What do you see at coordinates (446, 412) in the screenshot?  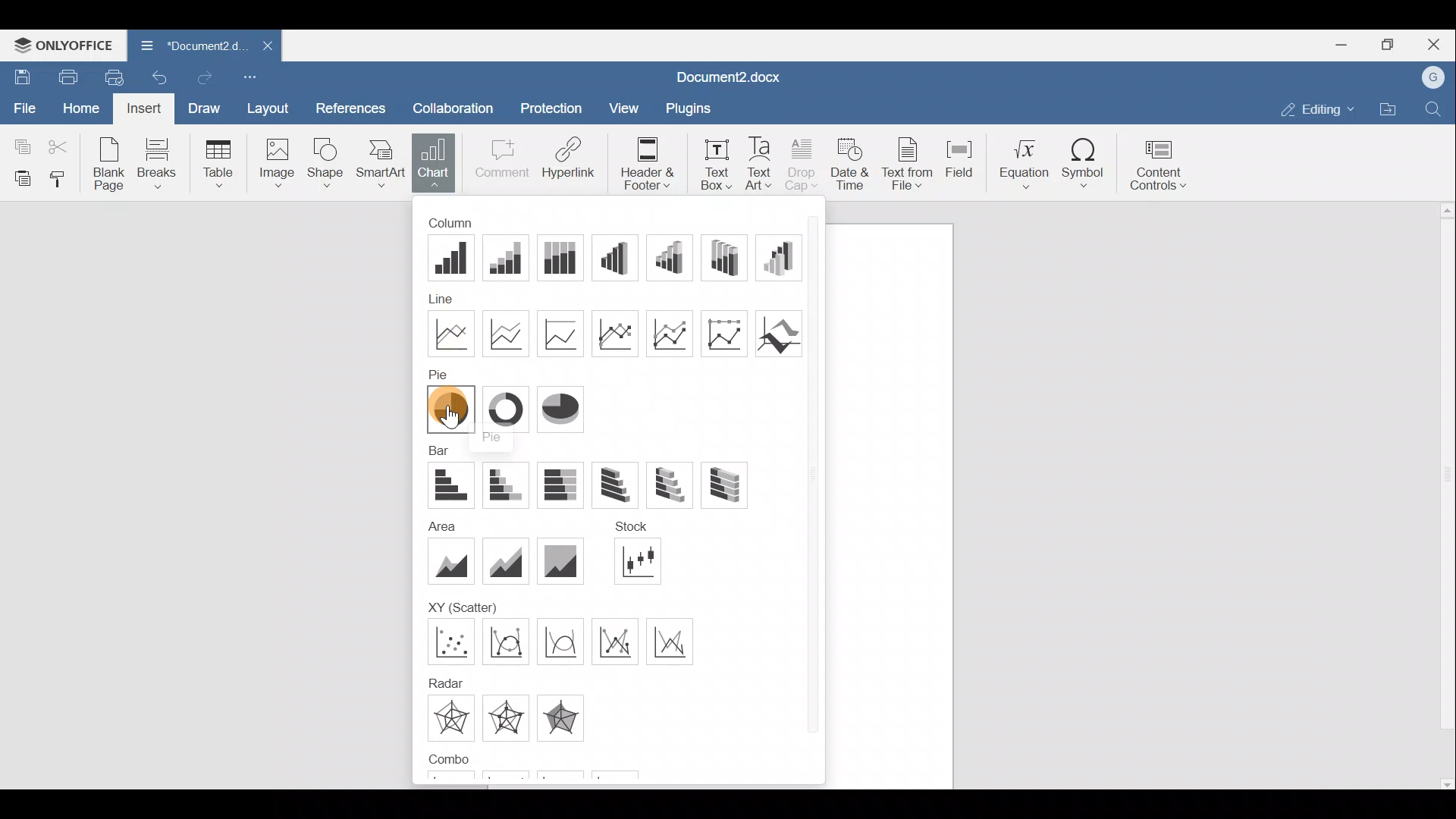 I see `Pie chart` at bounding box center [446, 412].